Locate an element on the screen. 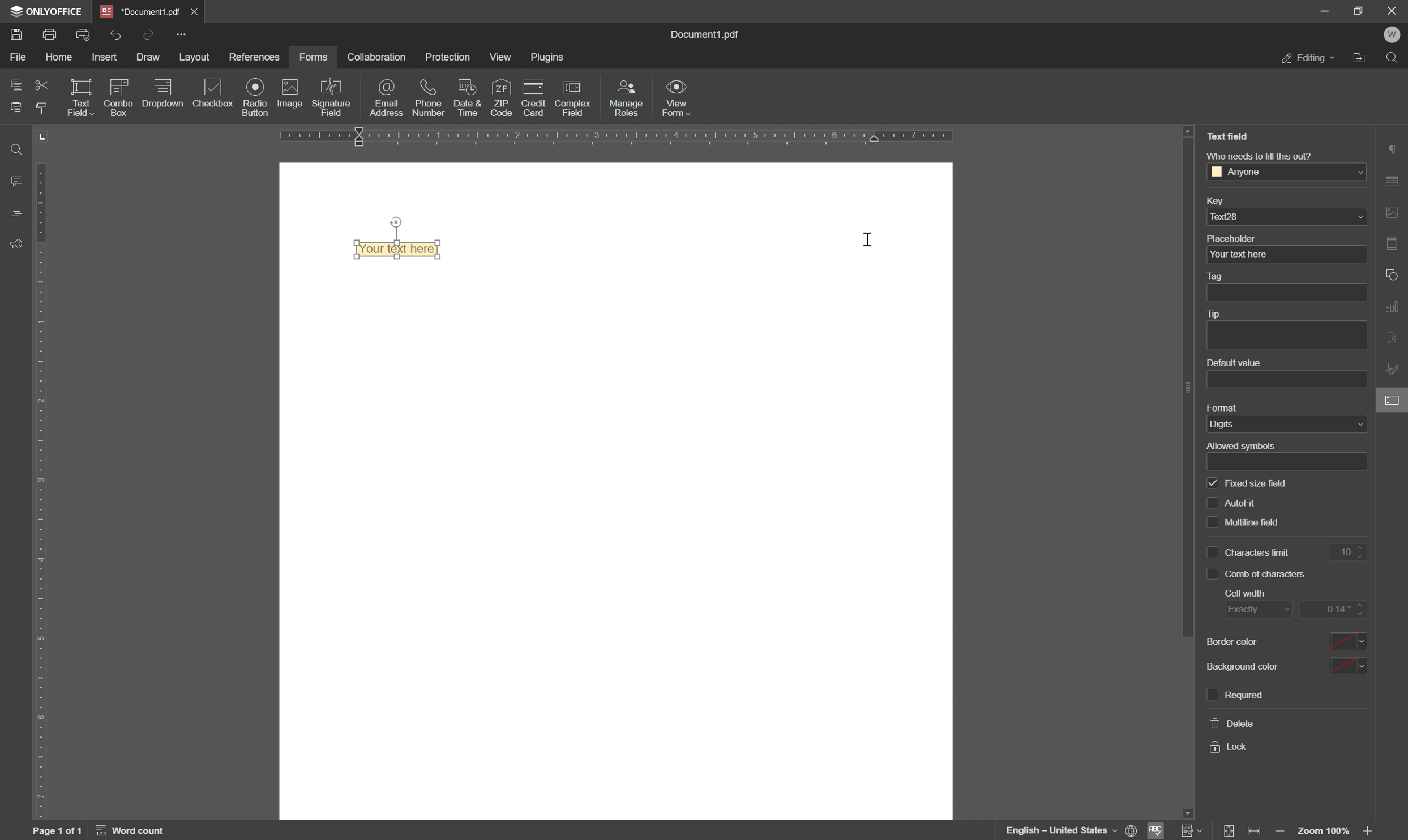 The image size is (1408, 840). delete is located at coordinates (1229, 725).